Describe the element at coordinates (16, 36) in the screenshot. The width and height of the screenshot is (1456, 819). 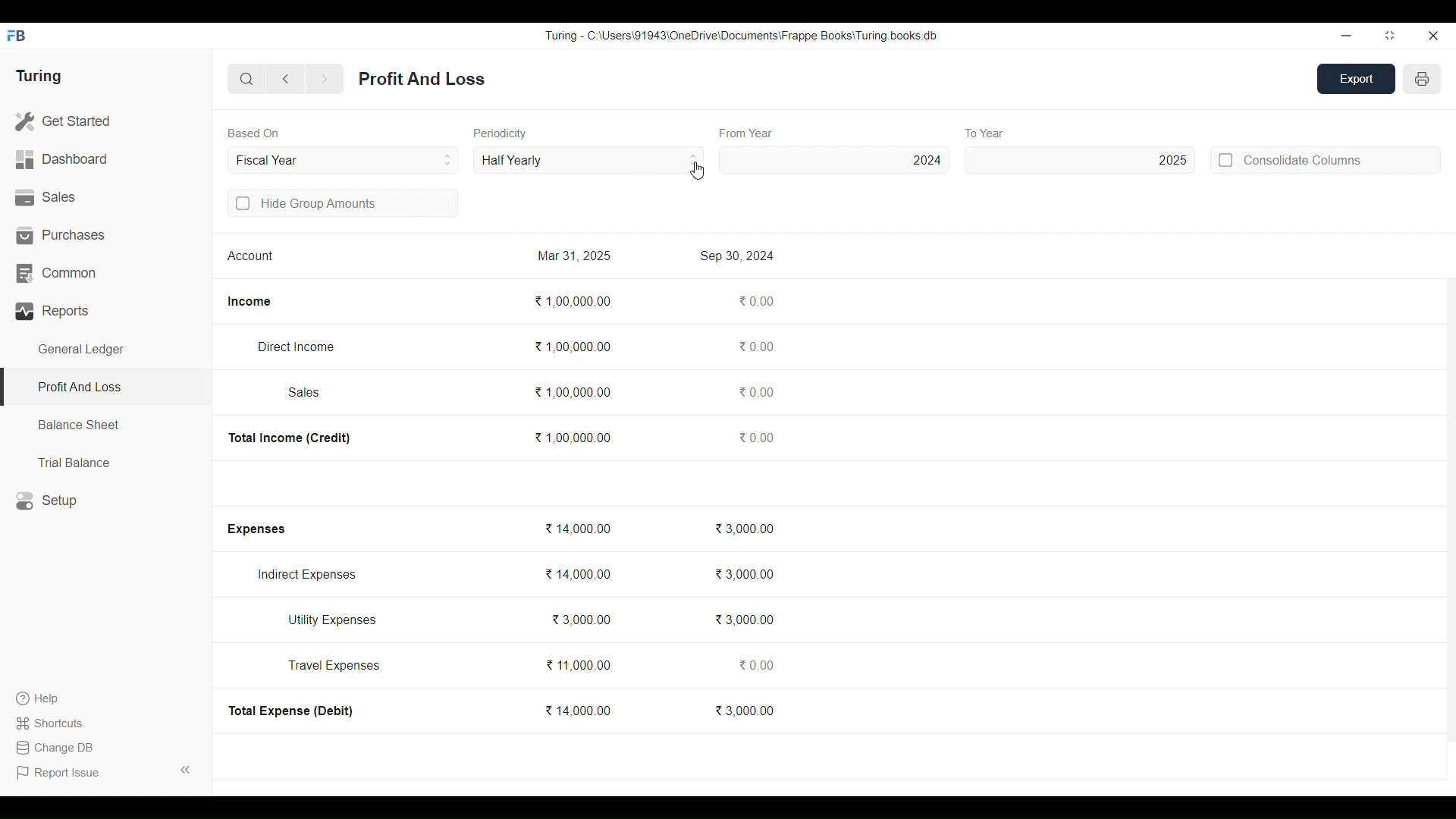
I see `Frappe Books logo` at that location.